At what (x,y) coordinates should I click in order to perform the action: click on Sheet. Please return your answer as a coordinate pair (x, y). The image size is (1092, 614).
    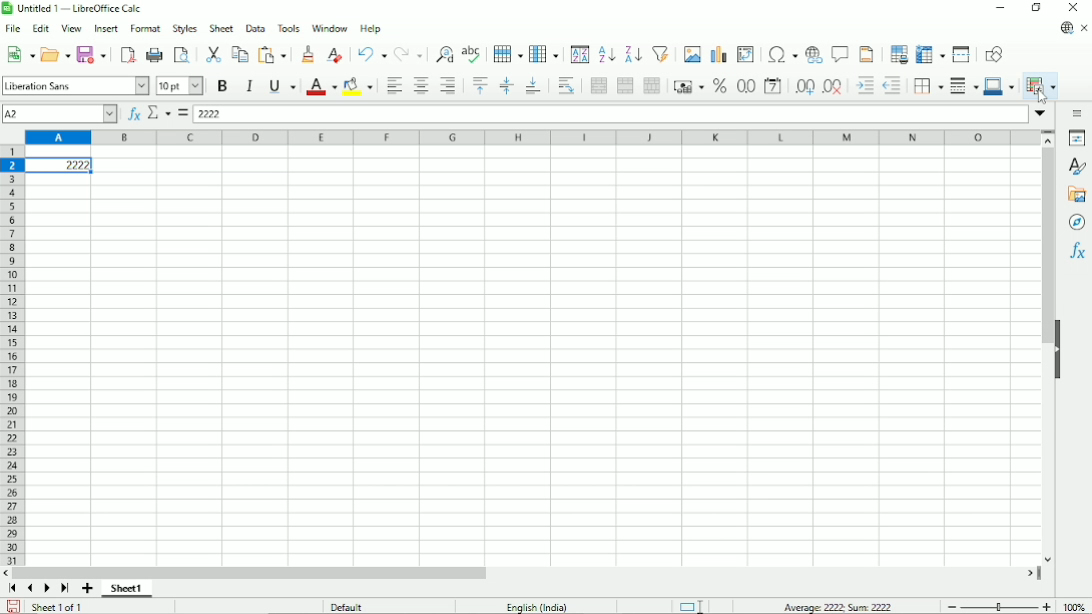
    Looking at the image, I should click on (221, 28).